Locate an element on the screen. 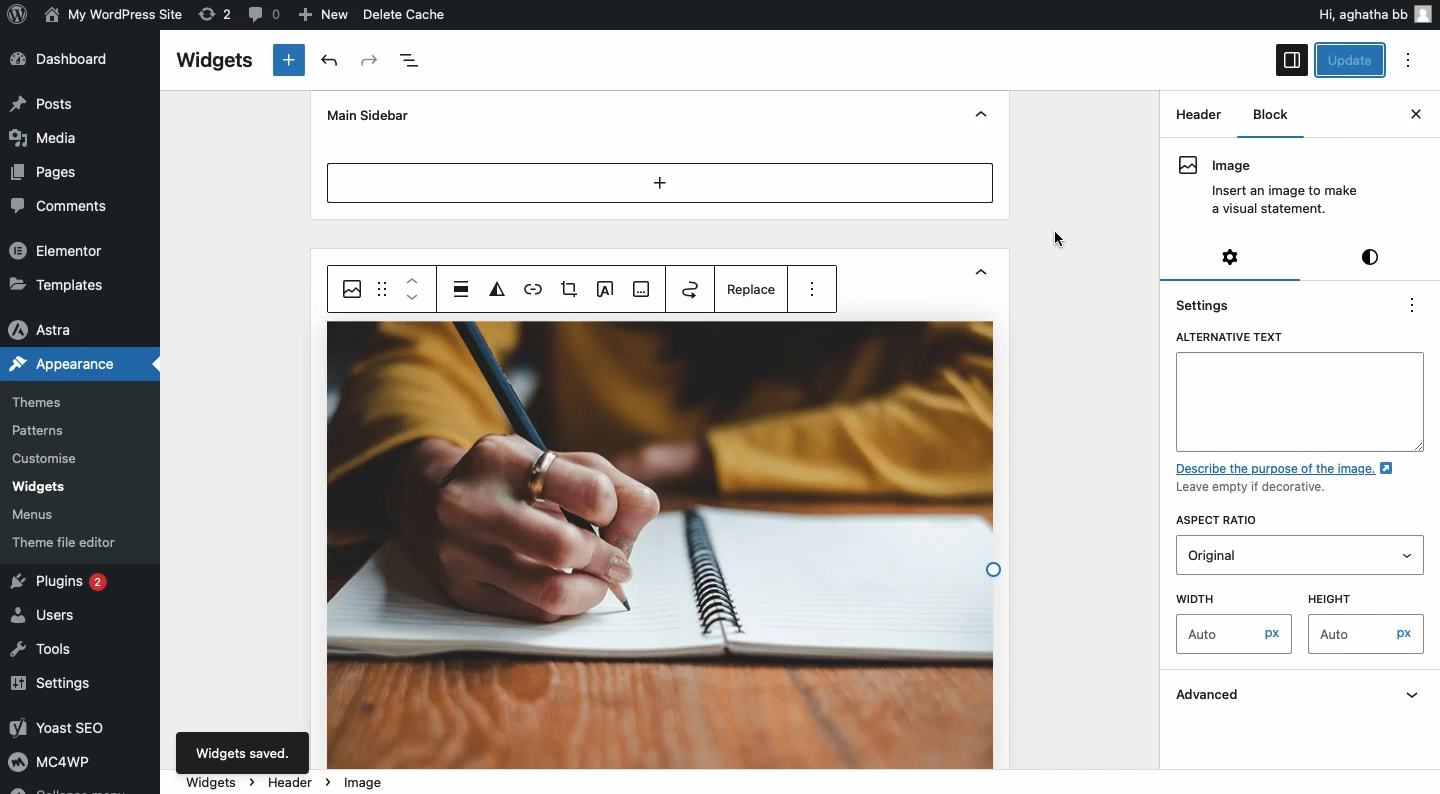 This screenshot has height=794, width=1440. Posts is located at coordinates (44, 103).